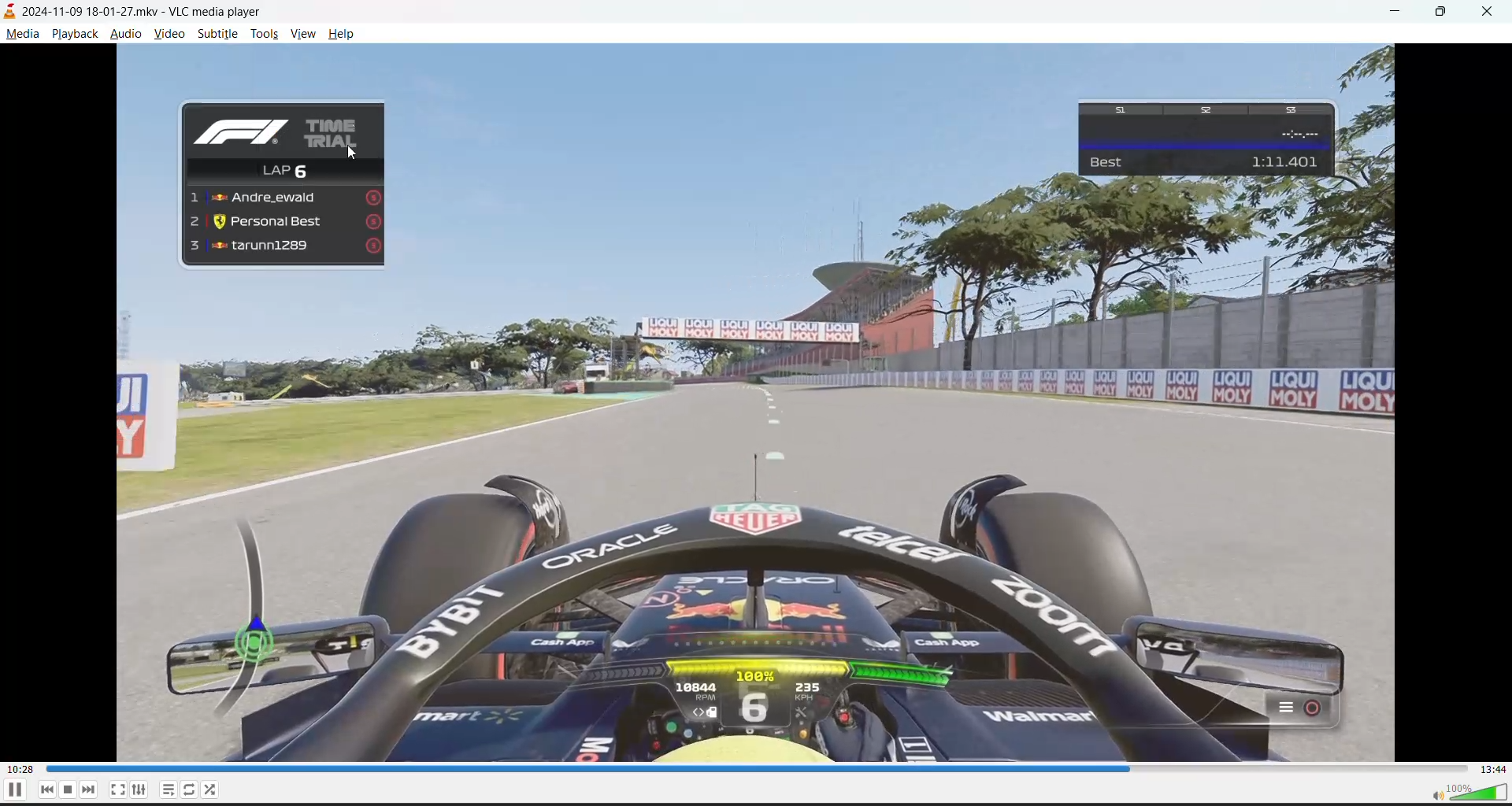 Image resolution: width=1512 pixels, height=806 pixels. Describe the element at coordinates (140, 790) in the screenshot. I see `settings` at that location.